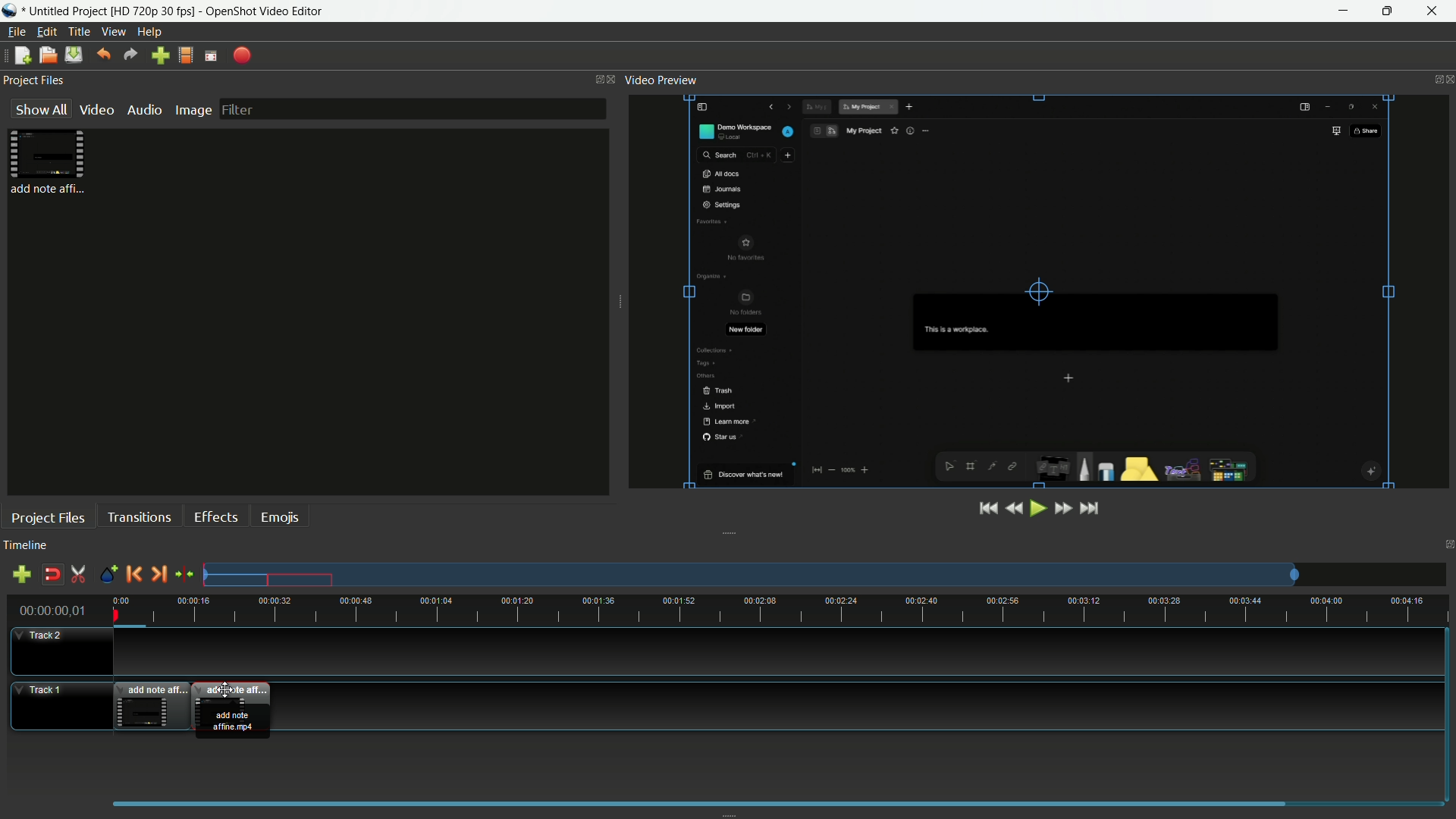 The height and width of the screenshot is (819, 1456). What do you see at coordinates (1388, 11) in the screenshot?
I see `maximize` at bounding box center [1388, 11].